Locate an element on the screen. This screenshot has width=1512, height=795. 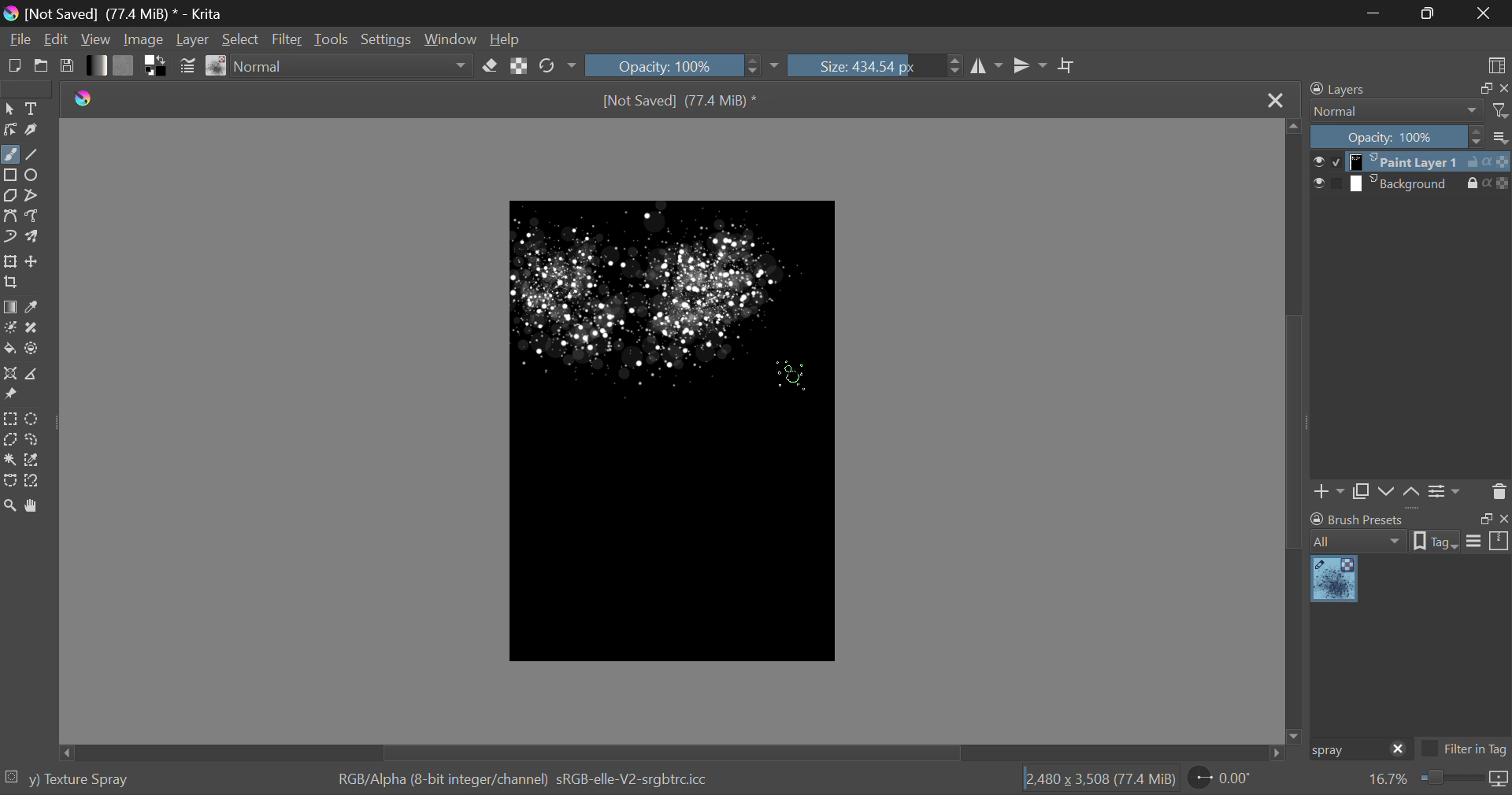
selection is located at coordinates (10, 776).